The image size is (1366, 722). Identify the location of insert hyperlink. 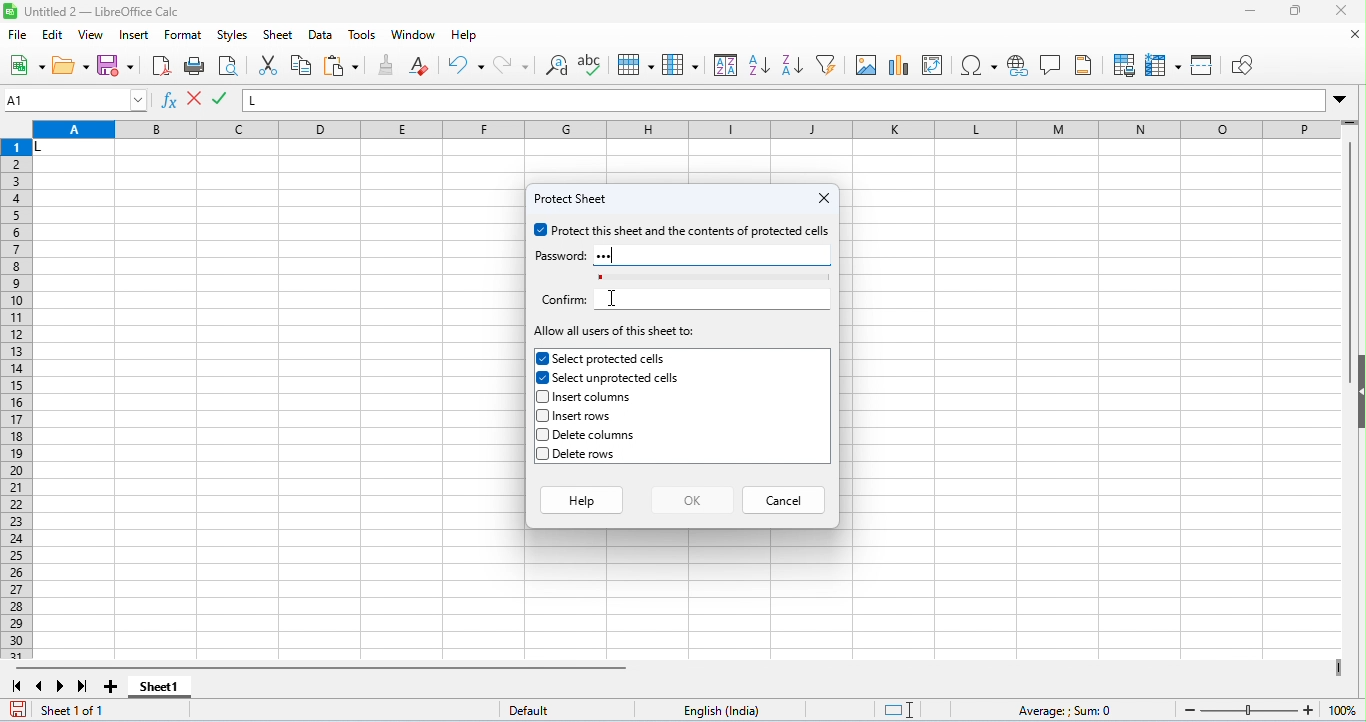
(1019, 66).